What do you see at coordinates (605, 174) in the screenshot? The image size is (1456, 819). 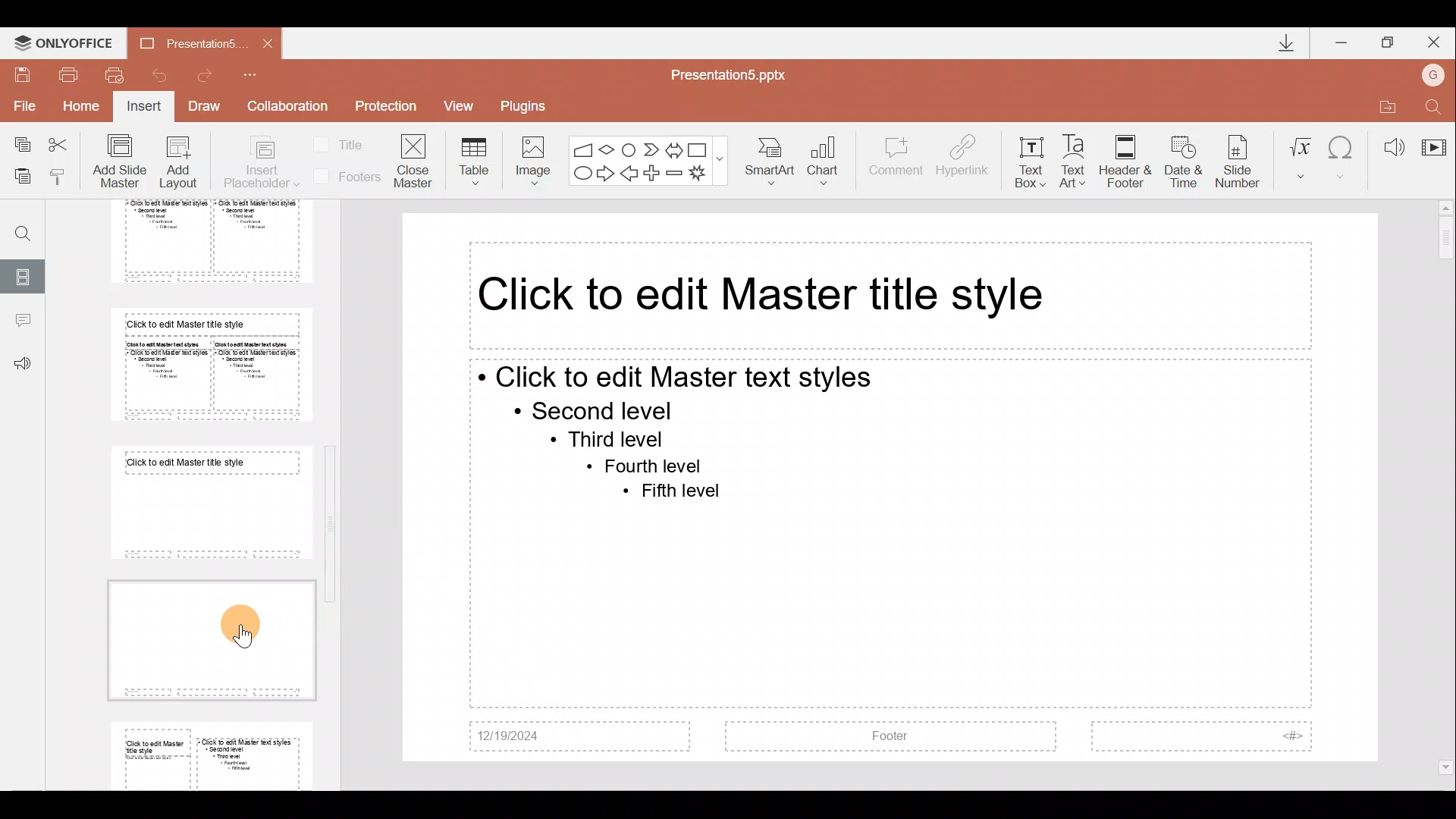 I see `Right arrow` at bounding box center [605, 174].